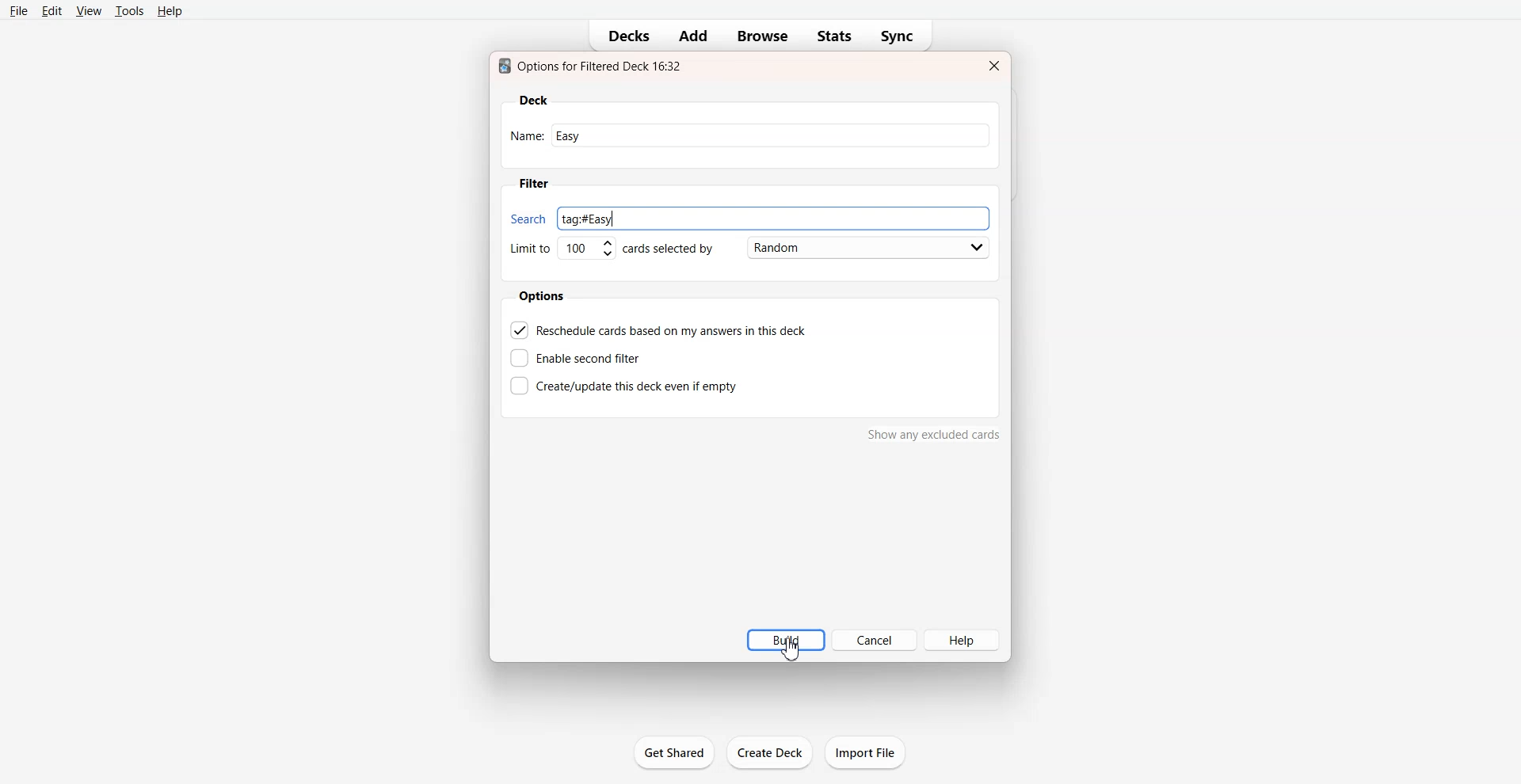 The height and width of the screenshot is (784, 1521). I want to click on Enable second filter, so click(581, 358).